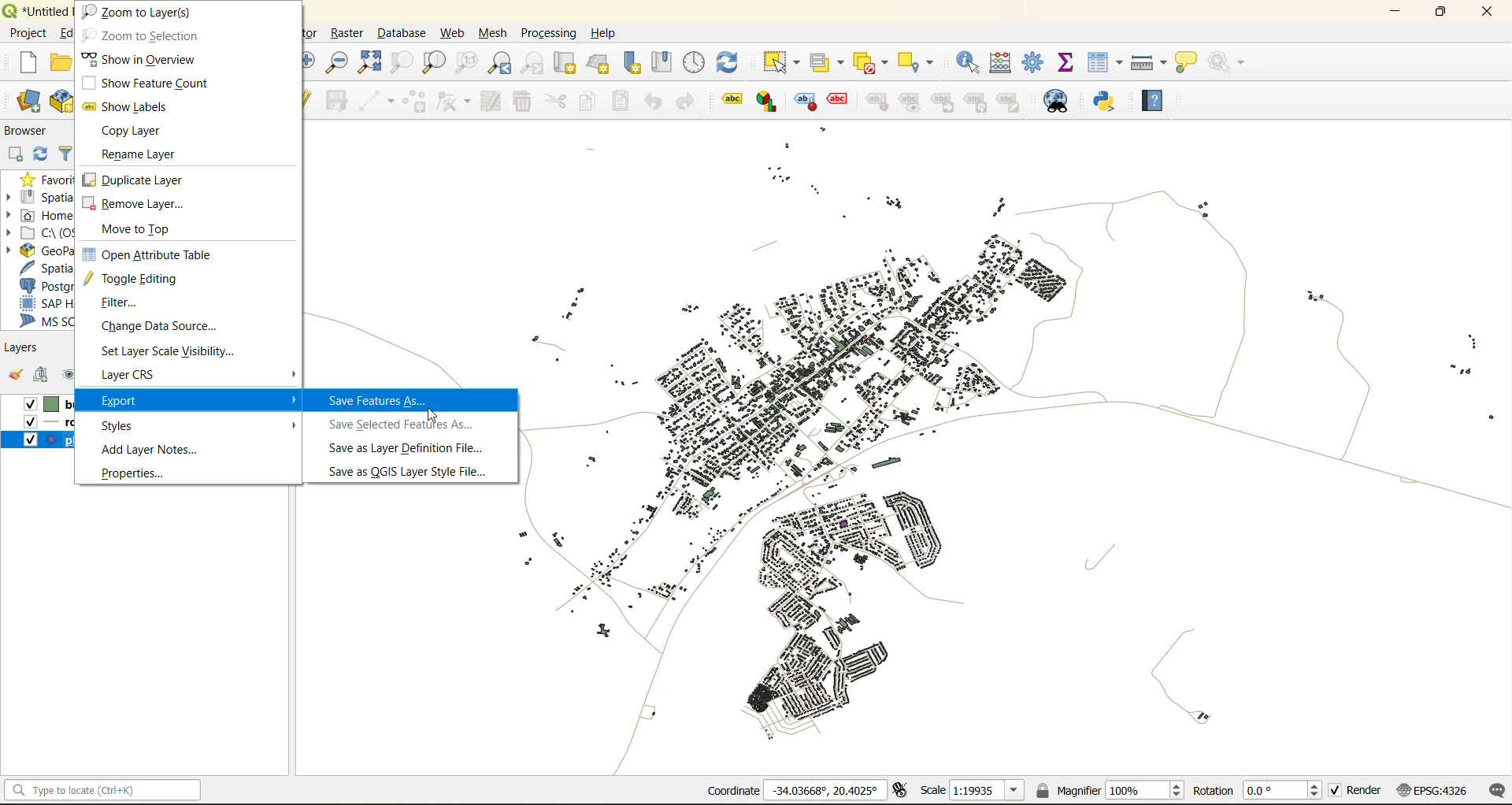 The width and height of the screenshot is (1512, 805). I want to click on measure line, so click(1147, 61).